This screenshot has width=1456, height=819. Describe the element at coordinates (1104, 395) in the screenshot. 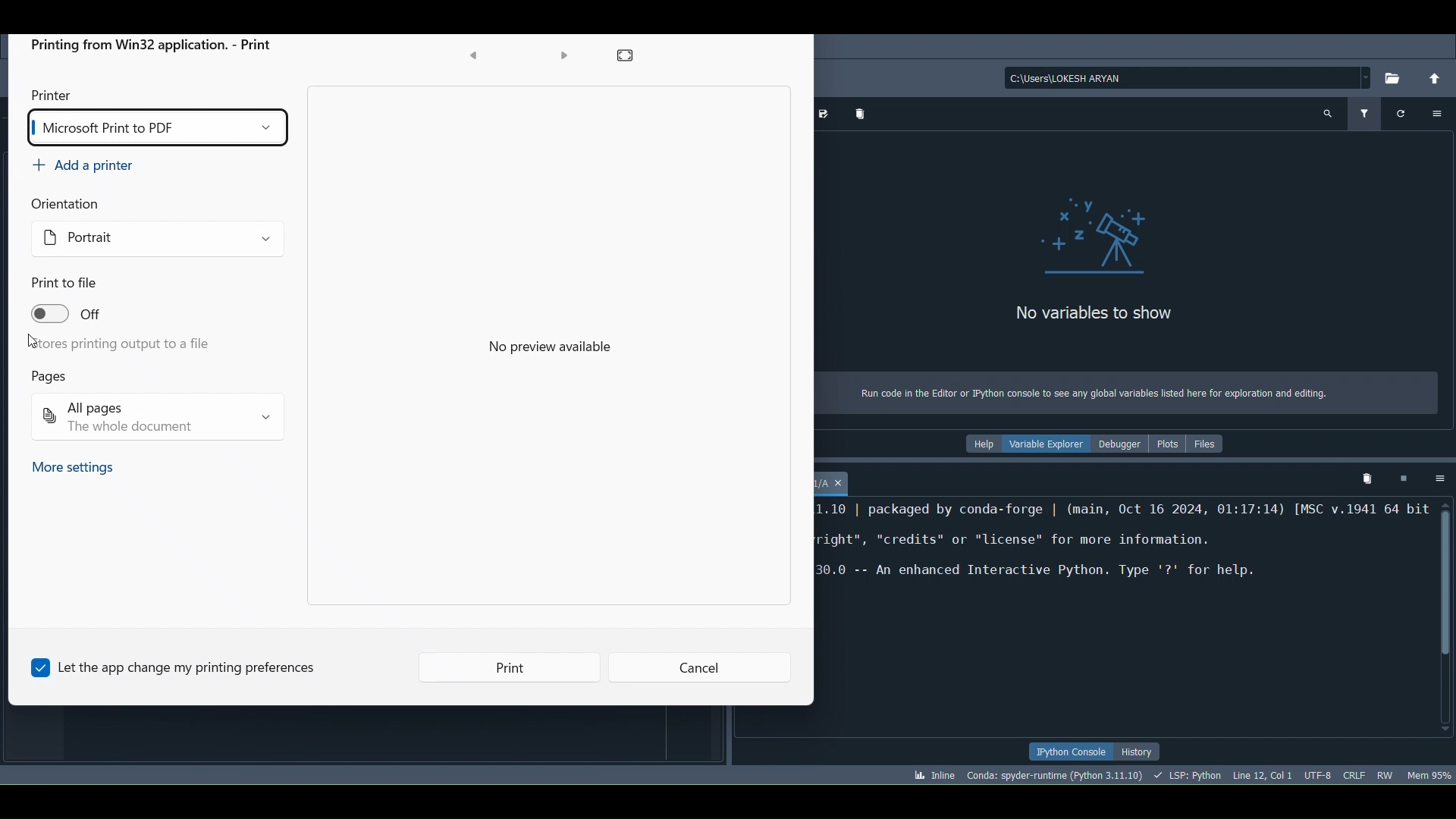

I see `Run code in the Editor or Python console to see any global variables listed here for exploration and editing.` at that location.